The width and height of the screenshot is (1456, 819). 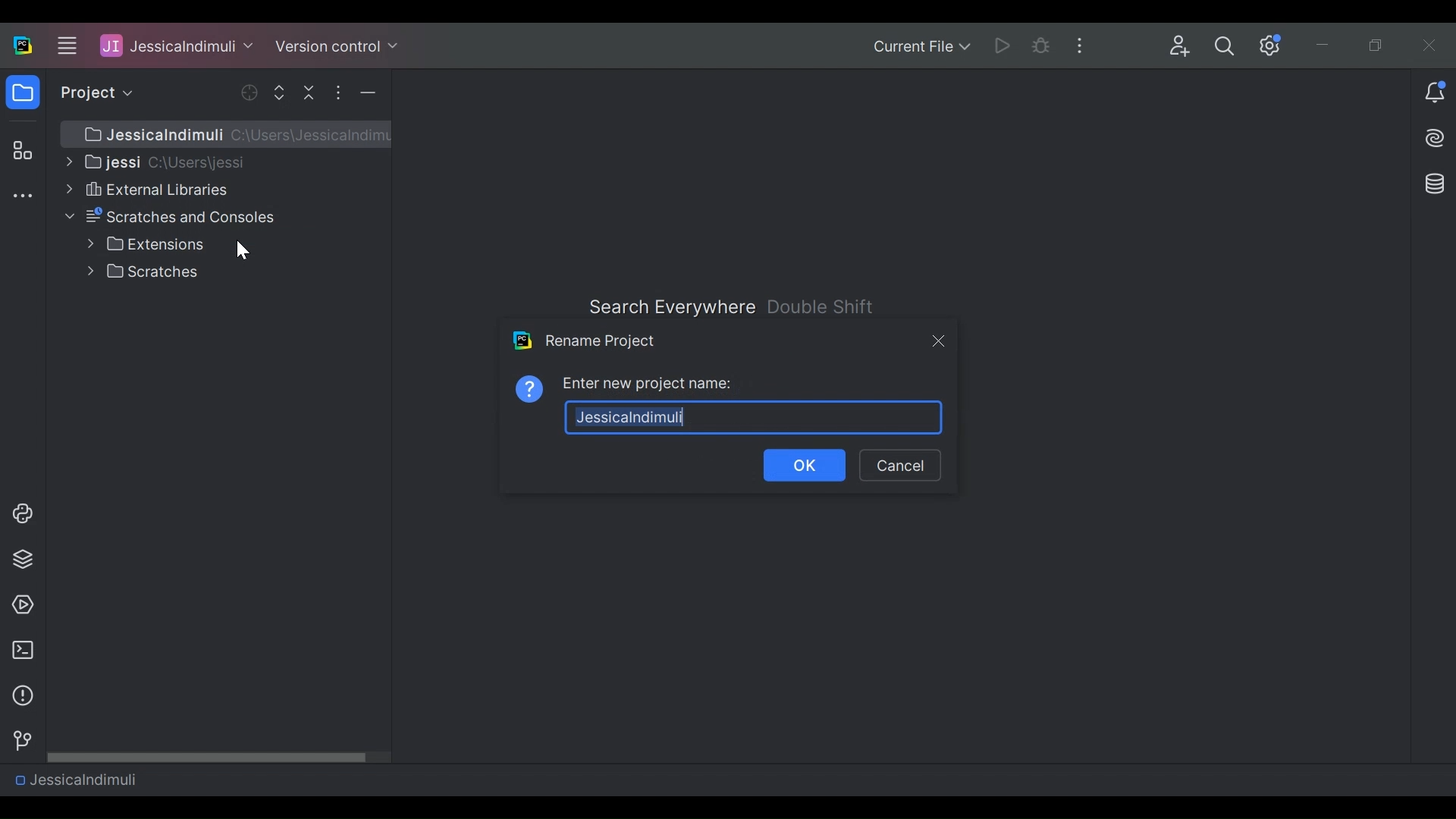 I want to click on Structure, so click(x=20, y=152).